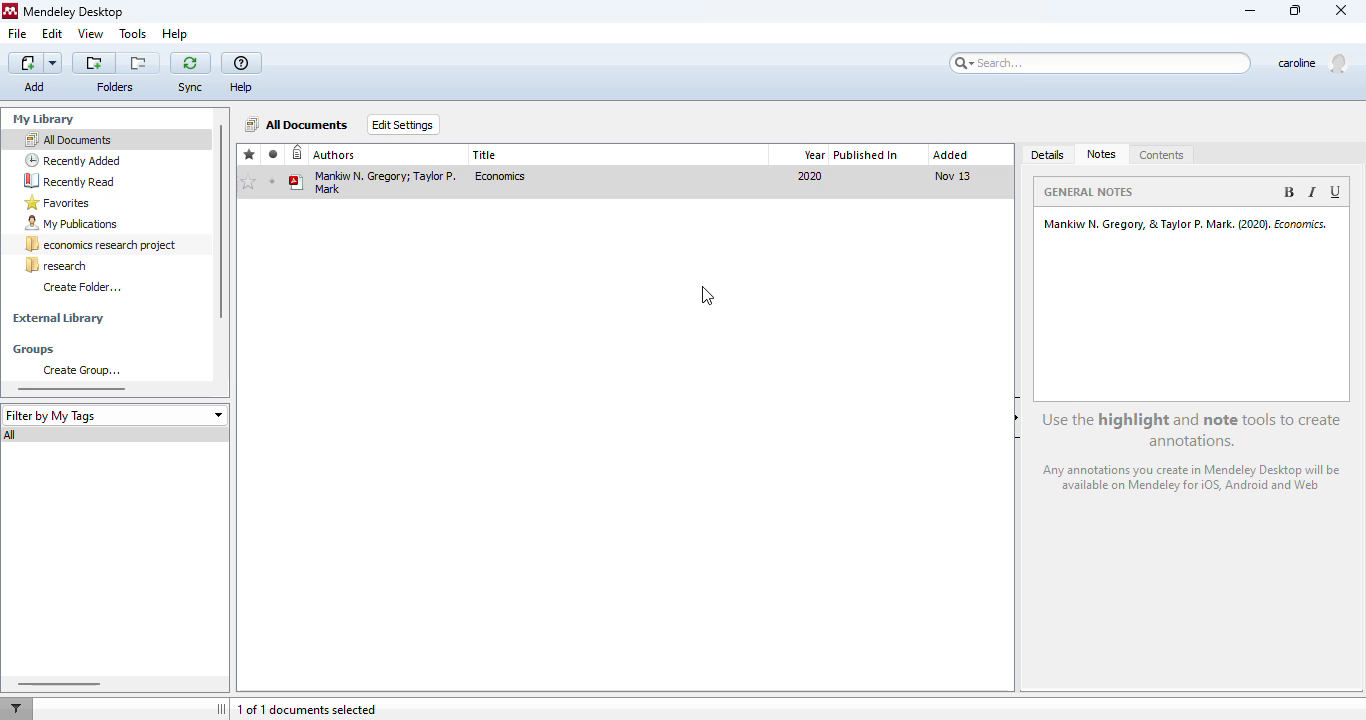 This screenshot has width=1366, height=720. What do you see at coordinates (1296, 10) in the screenshot?
I see `maximize` at bounding box center [1296, 10].